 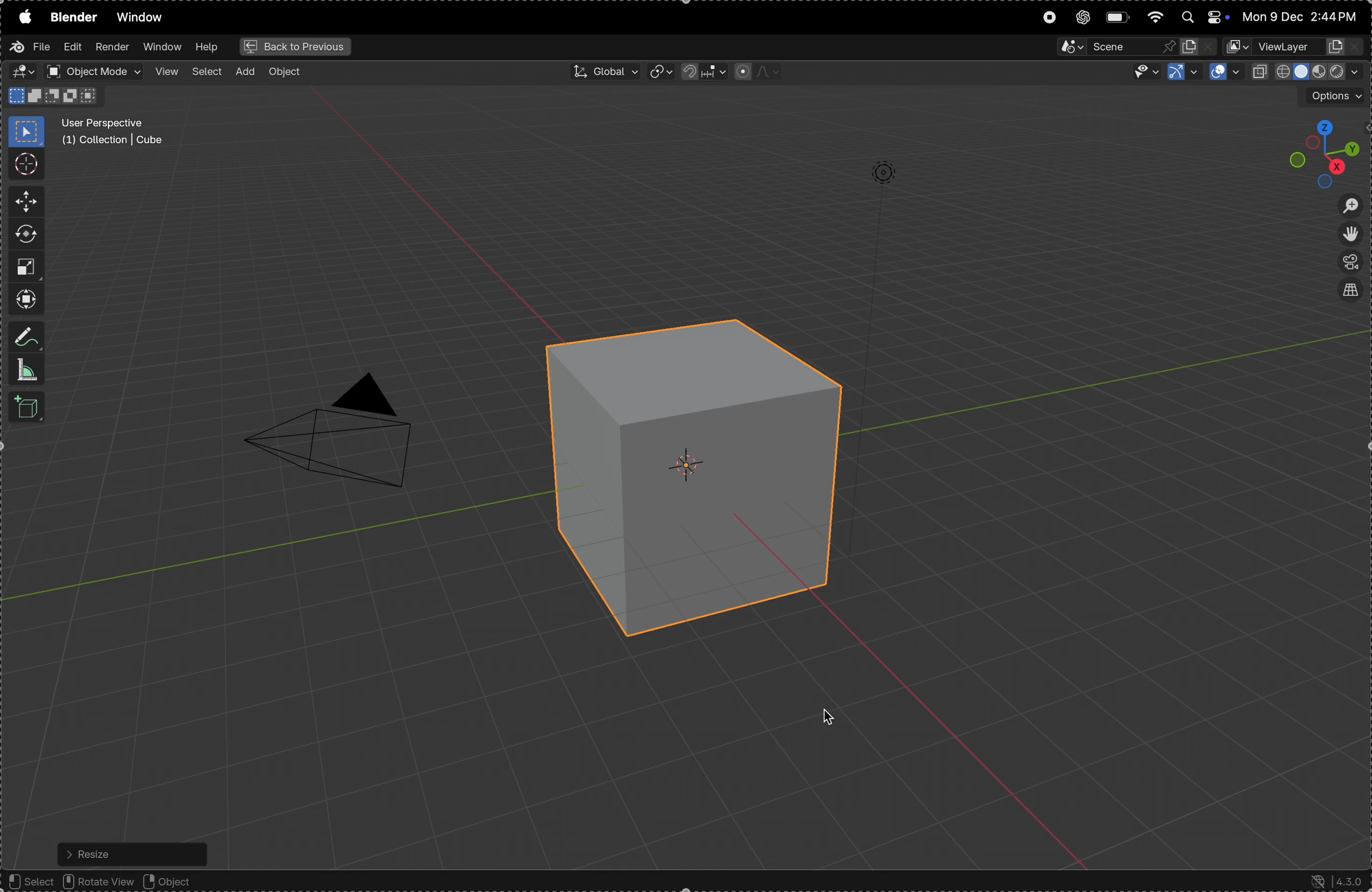 What do you see at coordinates (345, 437) in the screenshot?
I see `camera` at bounding box center [345, 437].